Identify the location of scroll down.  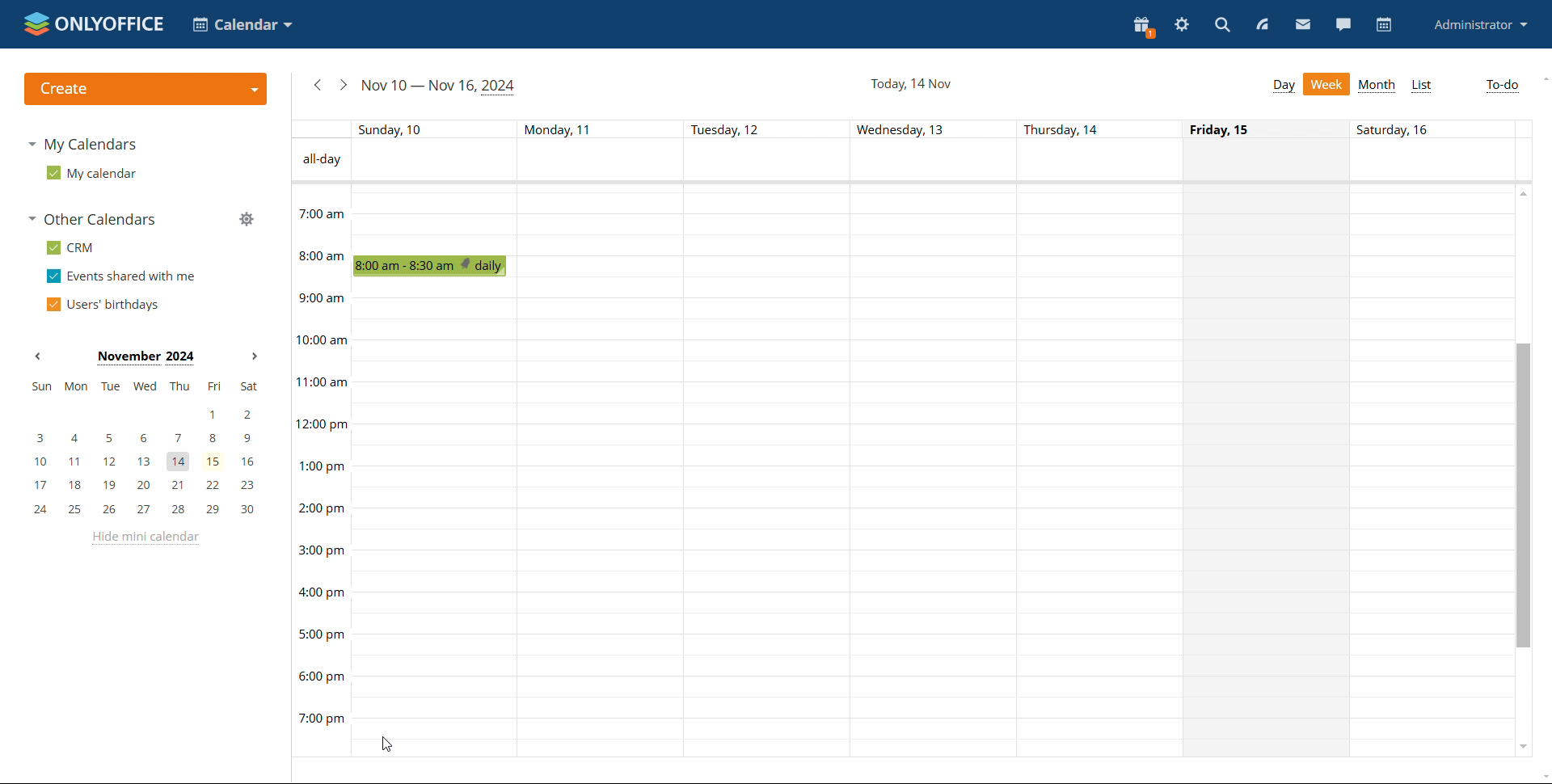
(1522, 744).